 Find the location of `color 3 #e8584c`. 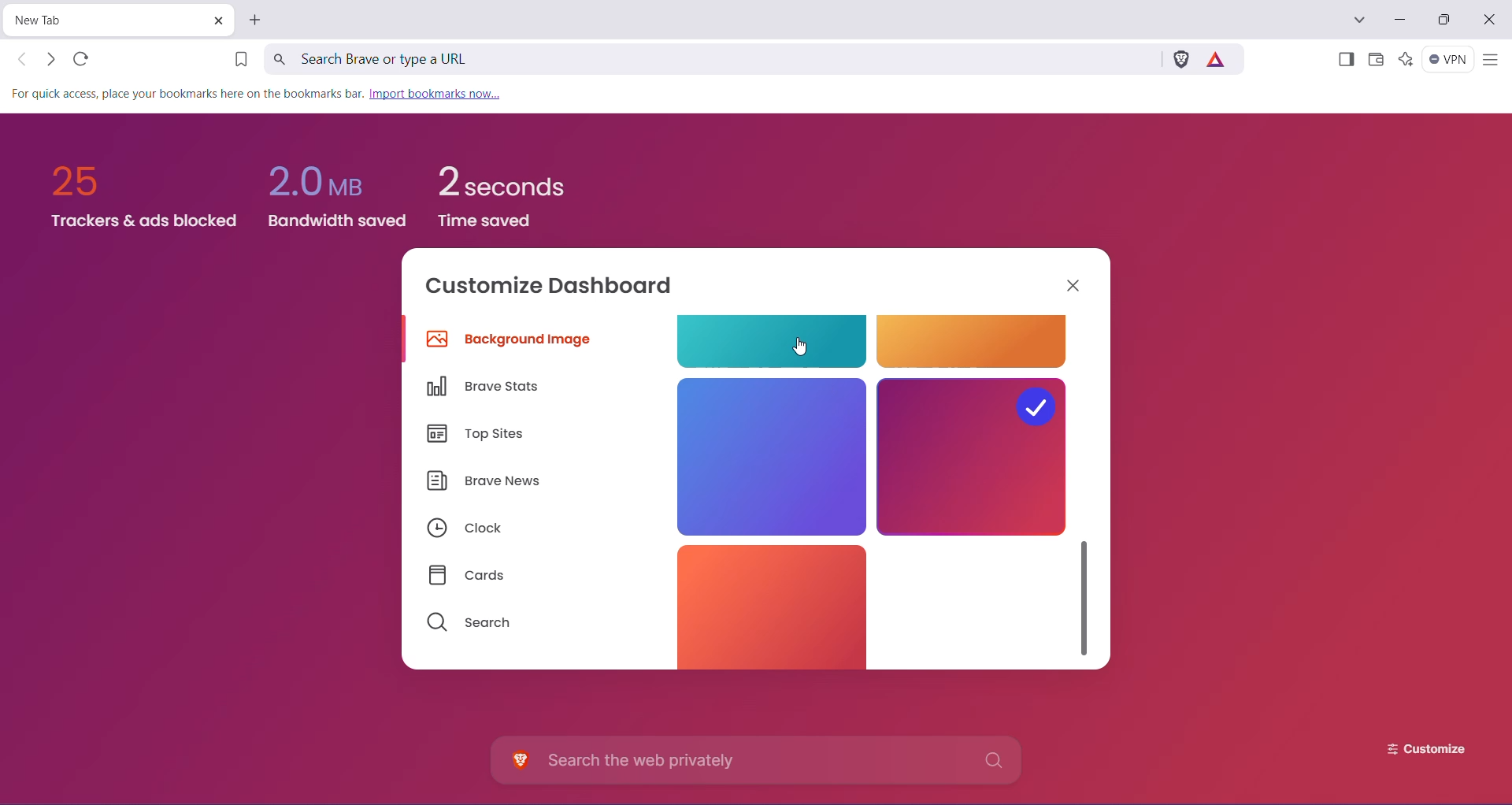

color 3 #e8584c is located at coordinates (764, 603).